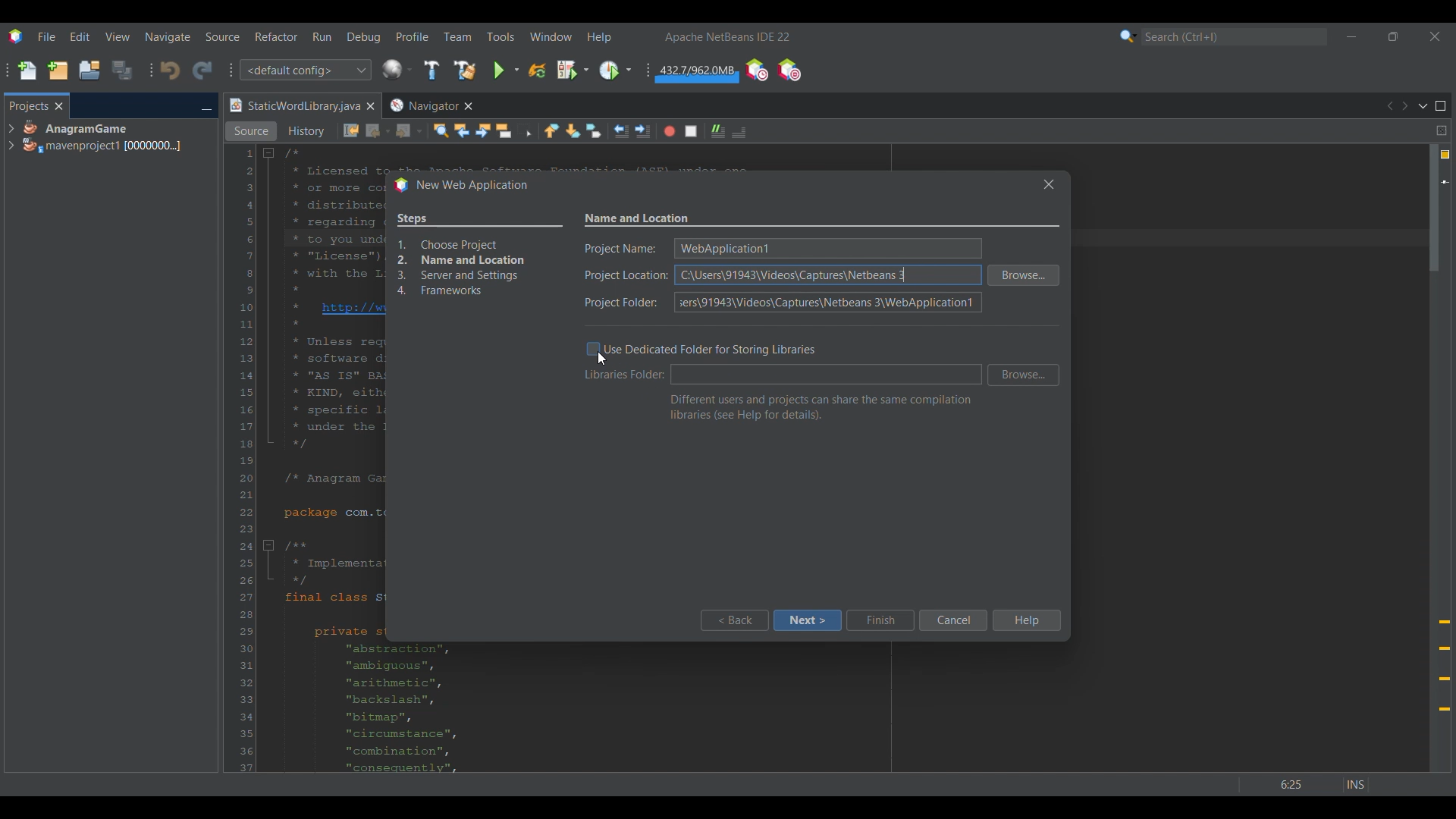  What do you see at coordinates (89, 70) in the screenshot?
I see `Open project` at bounding box center [89, 70].